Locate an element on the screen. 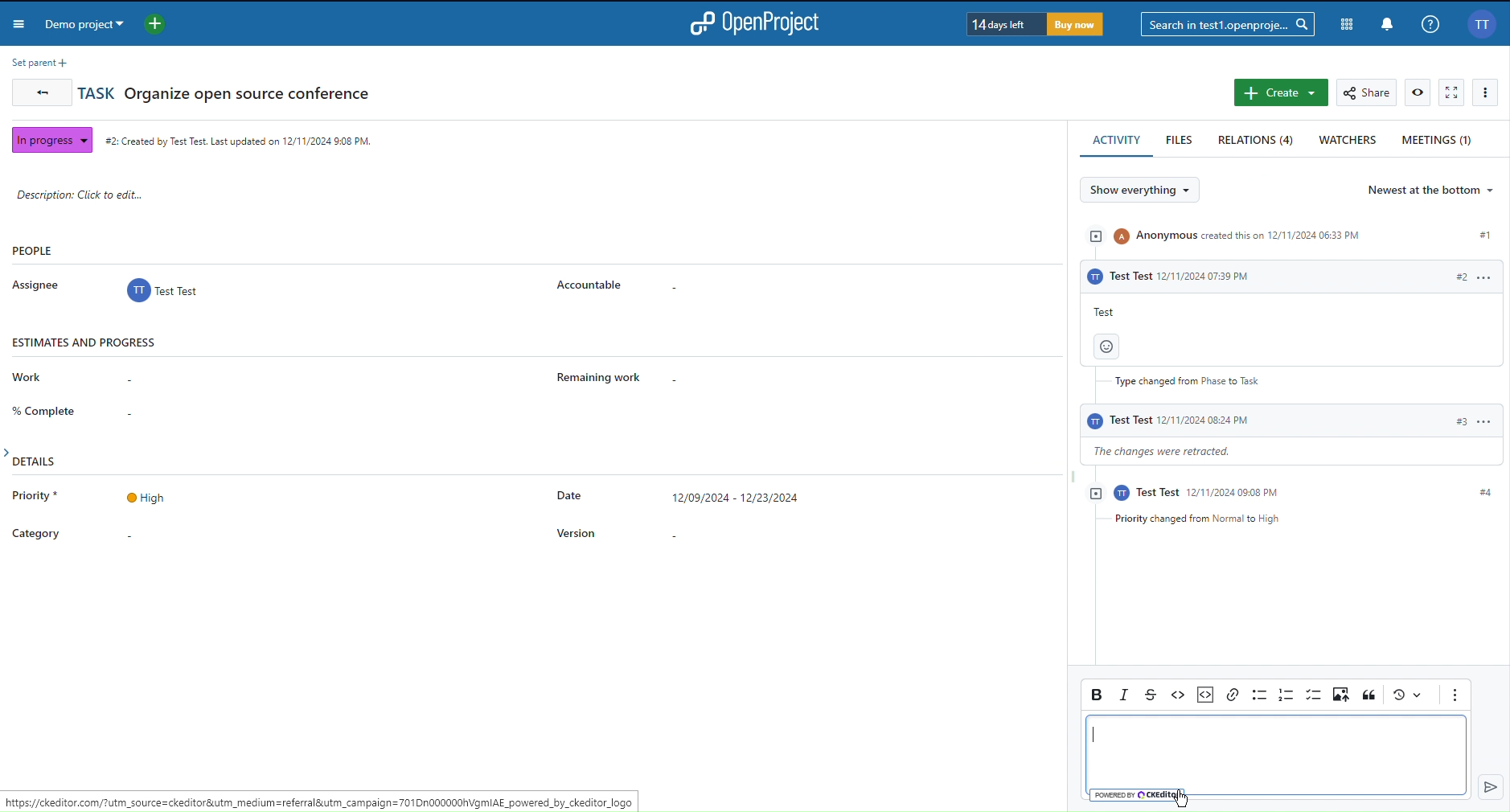 The width and height of the screenshot is (1510, 812). Insert Options is located at coordinates (1204, 693).